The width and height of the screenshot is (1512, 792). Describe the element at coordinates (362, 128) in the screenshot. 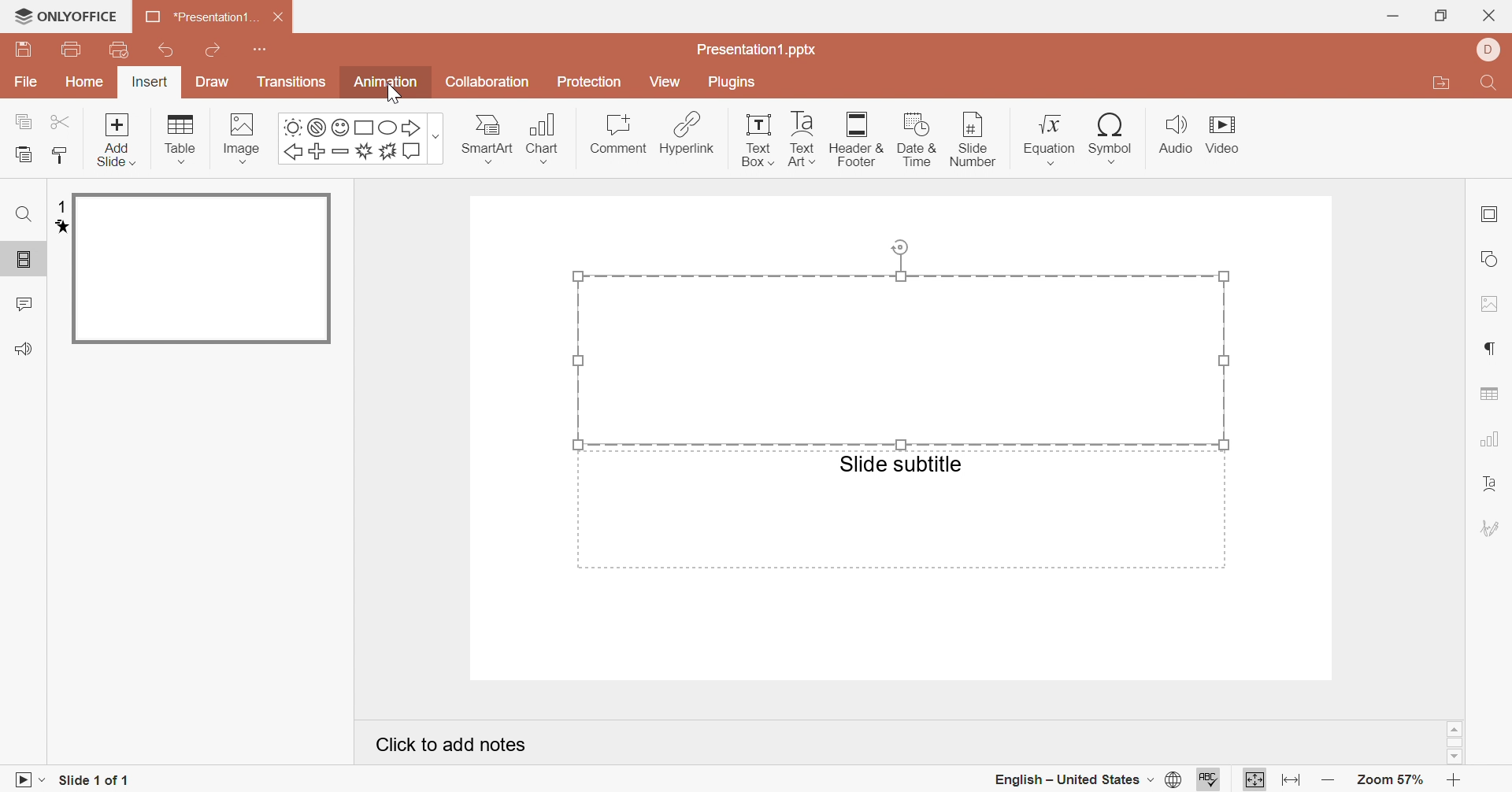

I see `square` at that location.